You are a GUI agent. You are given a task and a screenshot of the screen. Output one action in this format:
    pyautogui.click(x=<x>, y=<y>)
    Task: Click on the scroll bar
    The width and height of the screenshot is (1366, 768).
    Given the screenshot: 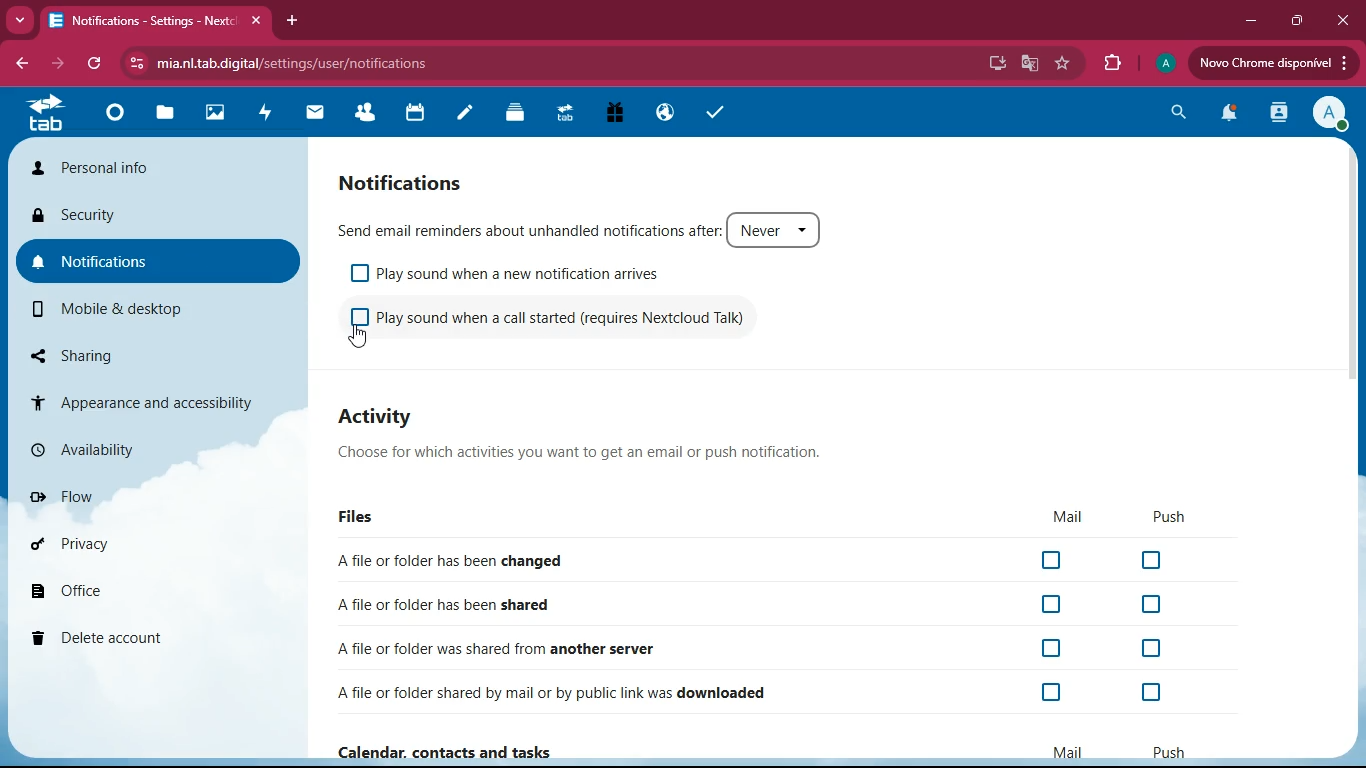 What is the action you would take?
    pyautogui.click(x=1352, y=253)
    